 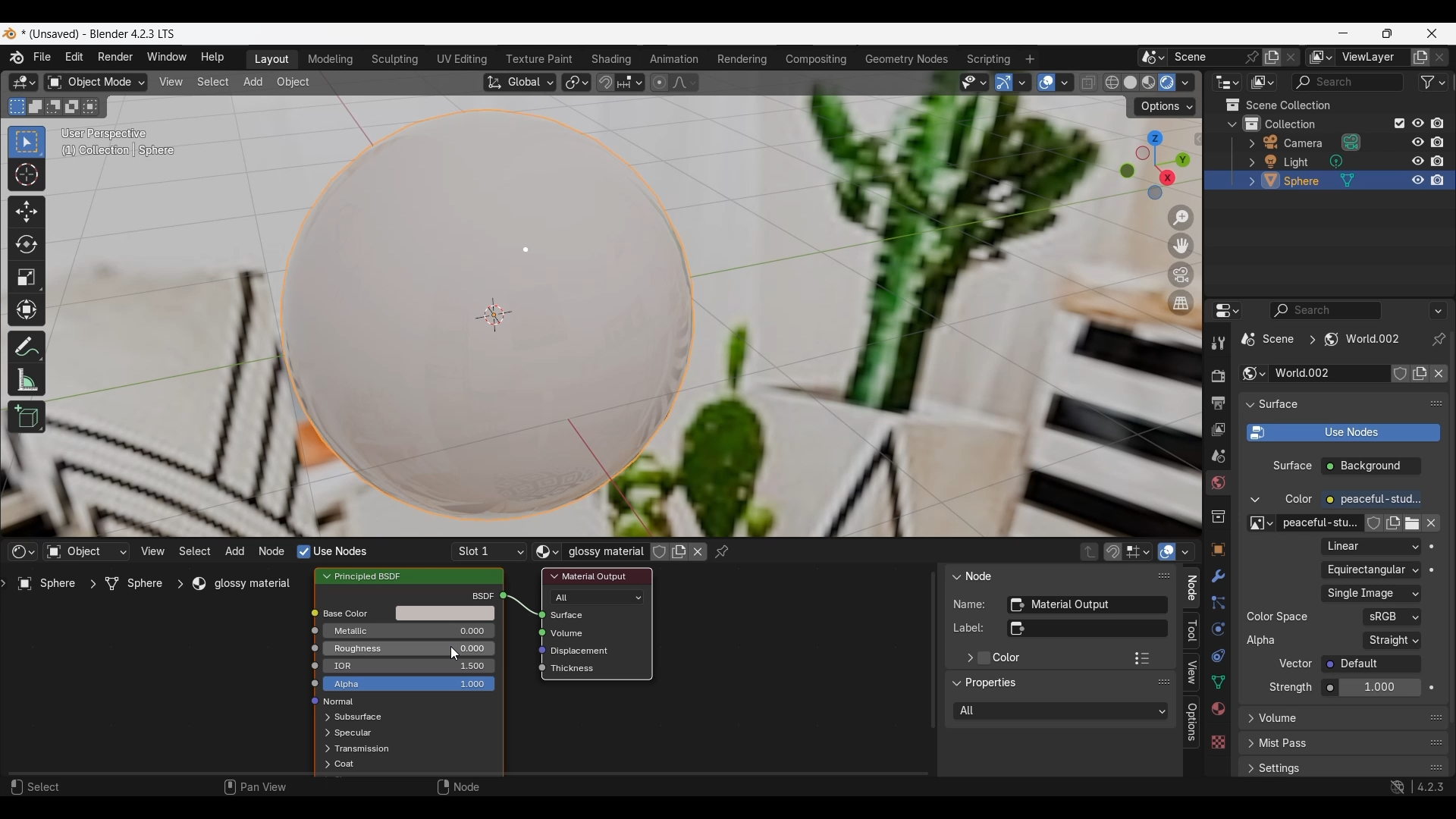 I want to click on Renderer and viewport shading types to use the shader for, so click(x=598, y=597).